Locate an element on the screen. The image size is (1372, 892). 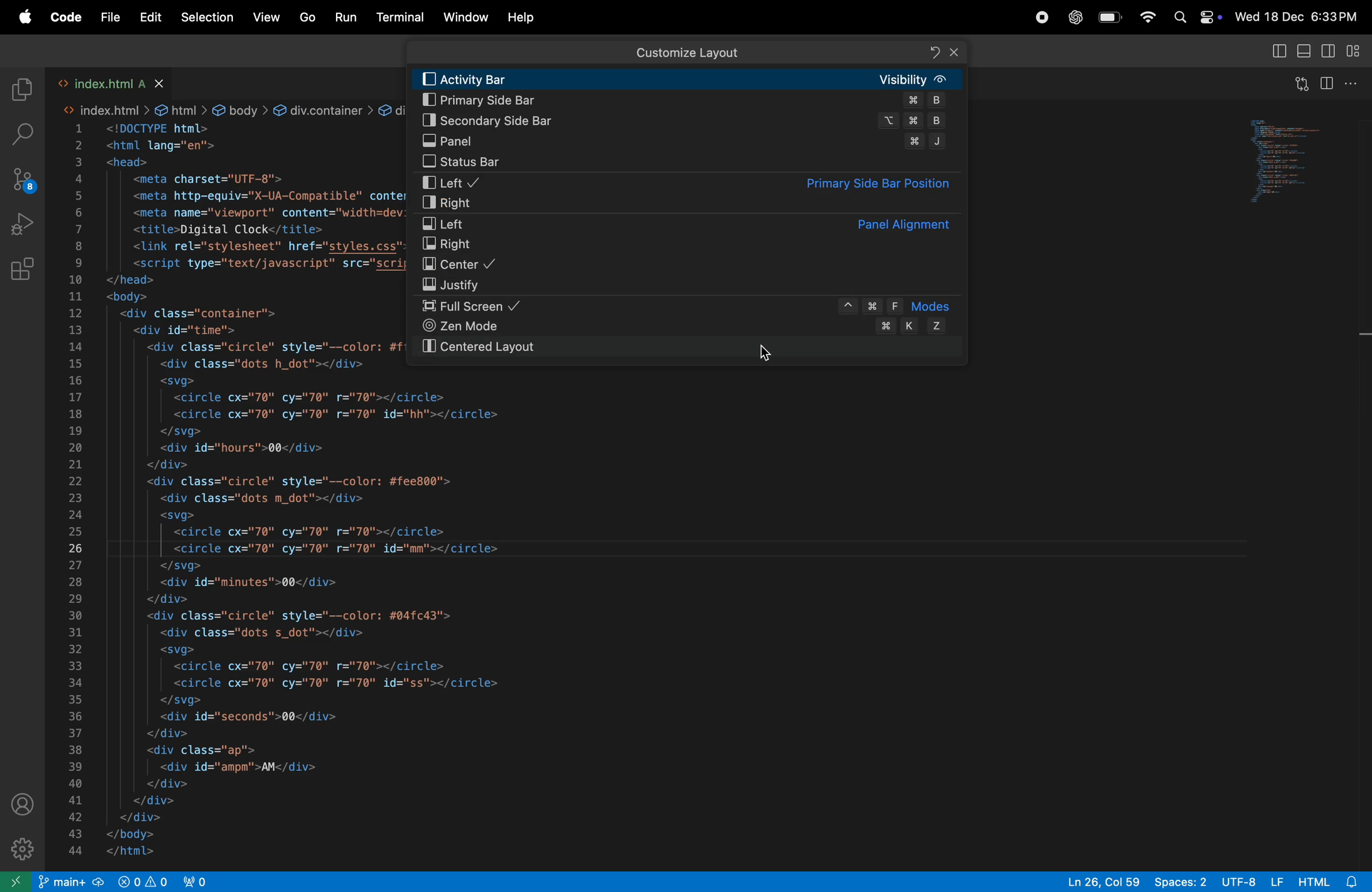
Help is located at coordinates (518, 18).